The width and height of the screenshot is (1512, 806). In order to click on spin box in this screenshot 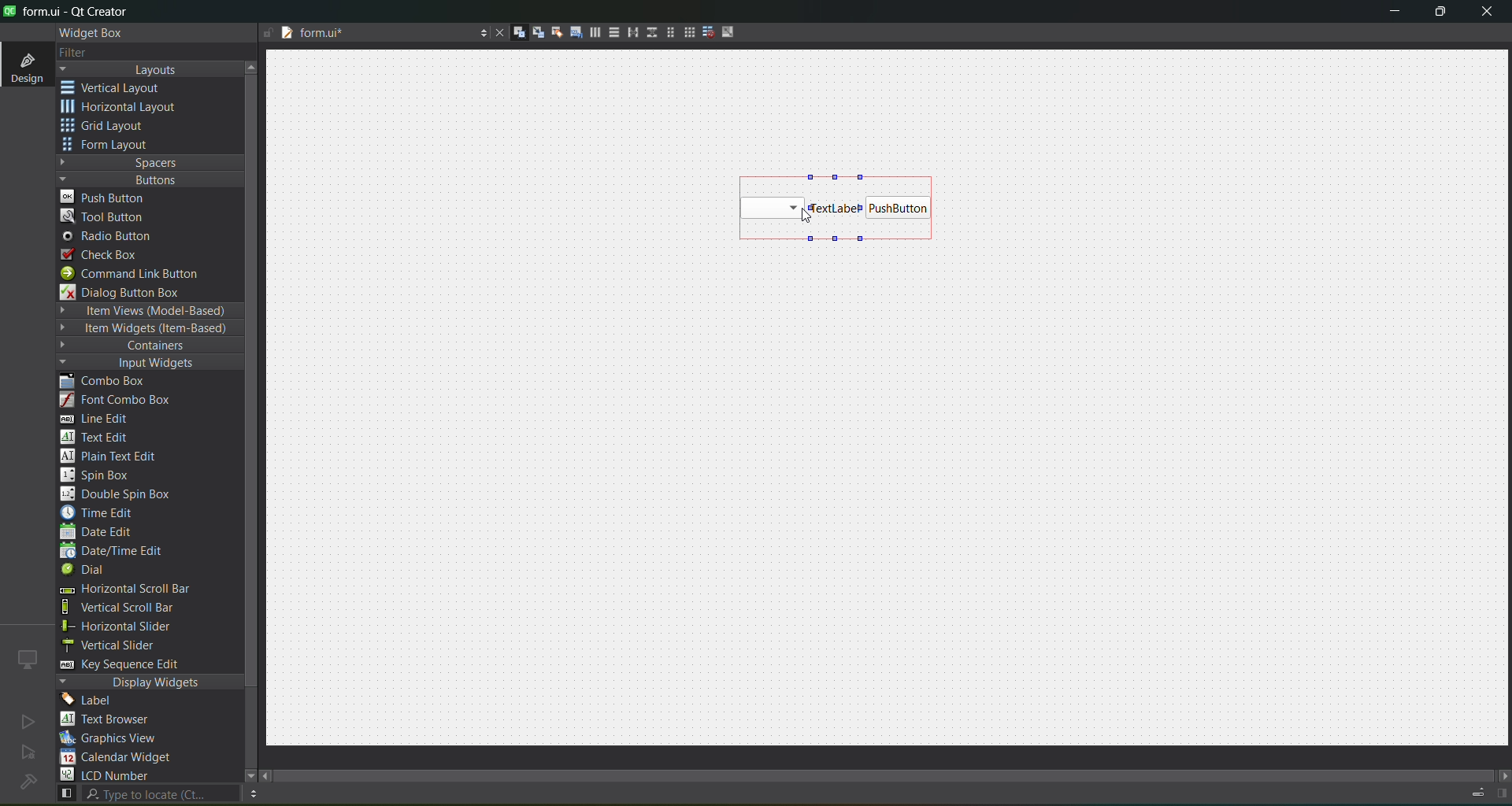, I will do `click(103, 475)`.